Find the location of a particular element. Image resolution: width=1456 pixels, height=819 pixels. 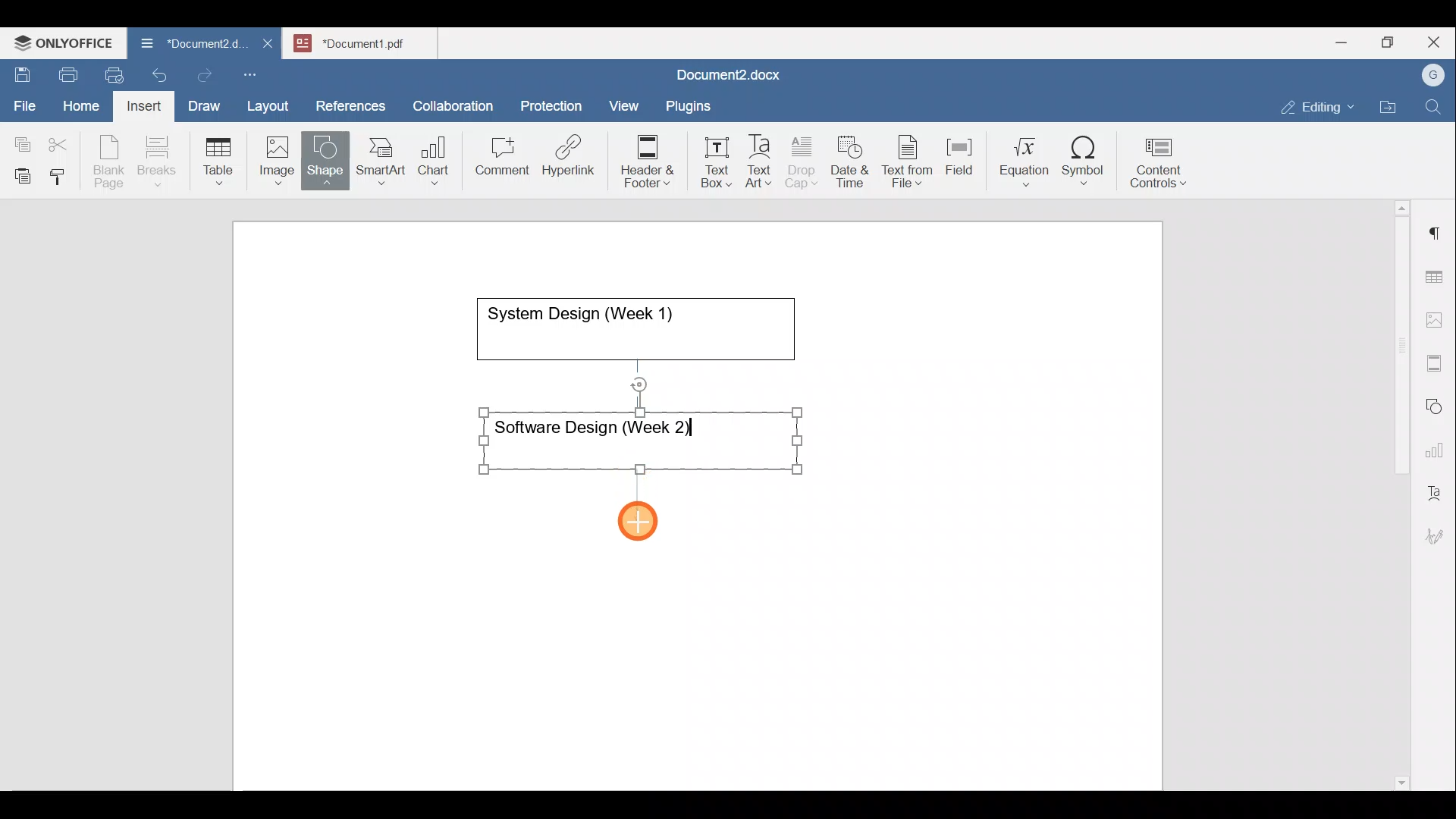

Shapes settings is located at coordinates (1437, 404).